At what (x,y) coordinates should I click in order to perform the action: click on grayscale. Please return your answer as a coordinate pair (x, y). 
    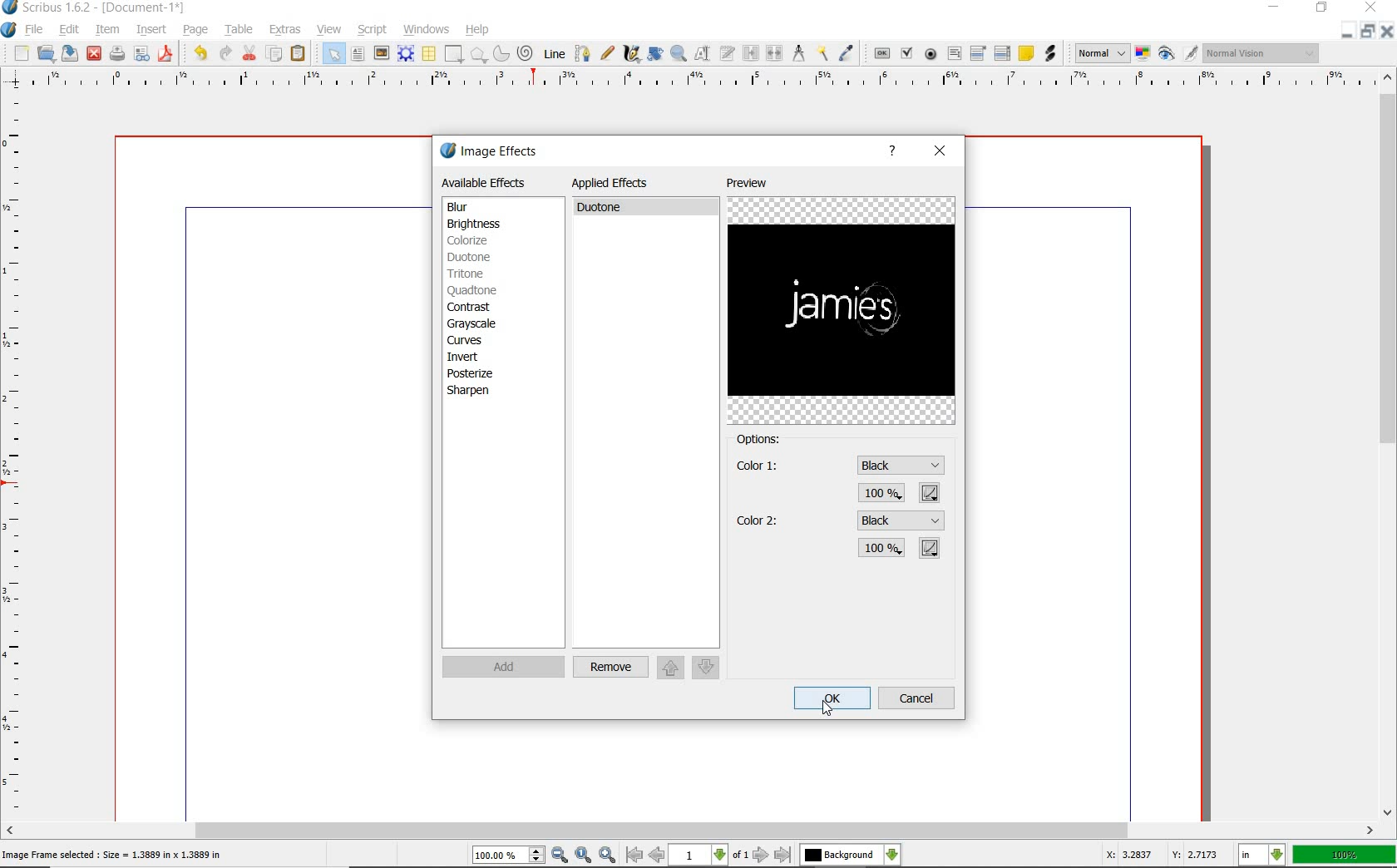
    Looking at the image, I should click on (473, 324).